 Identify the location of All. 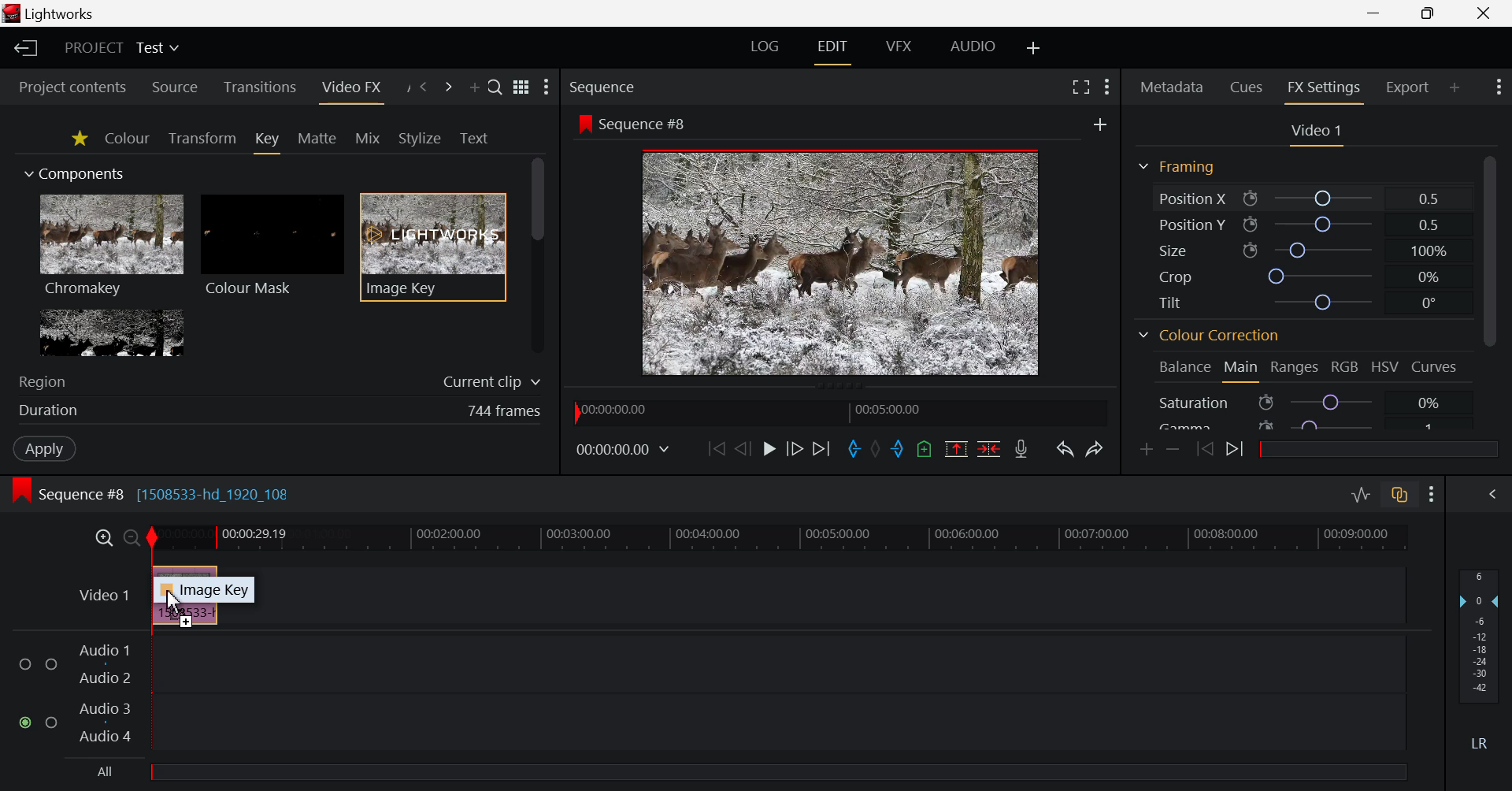
(106, 771).